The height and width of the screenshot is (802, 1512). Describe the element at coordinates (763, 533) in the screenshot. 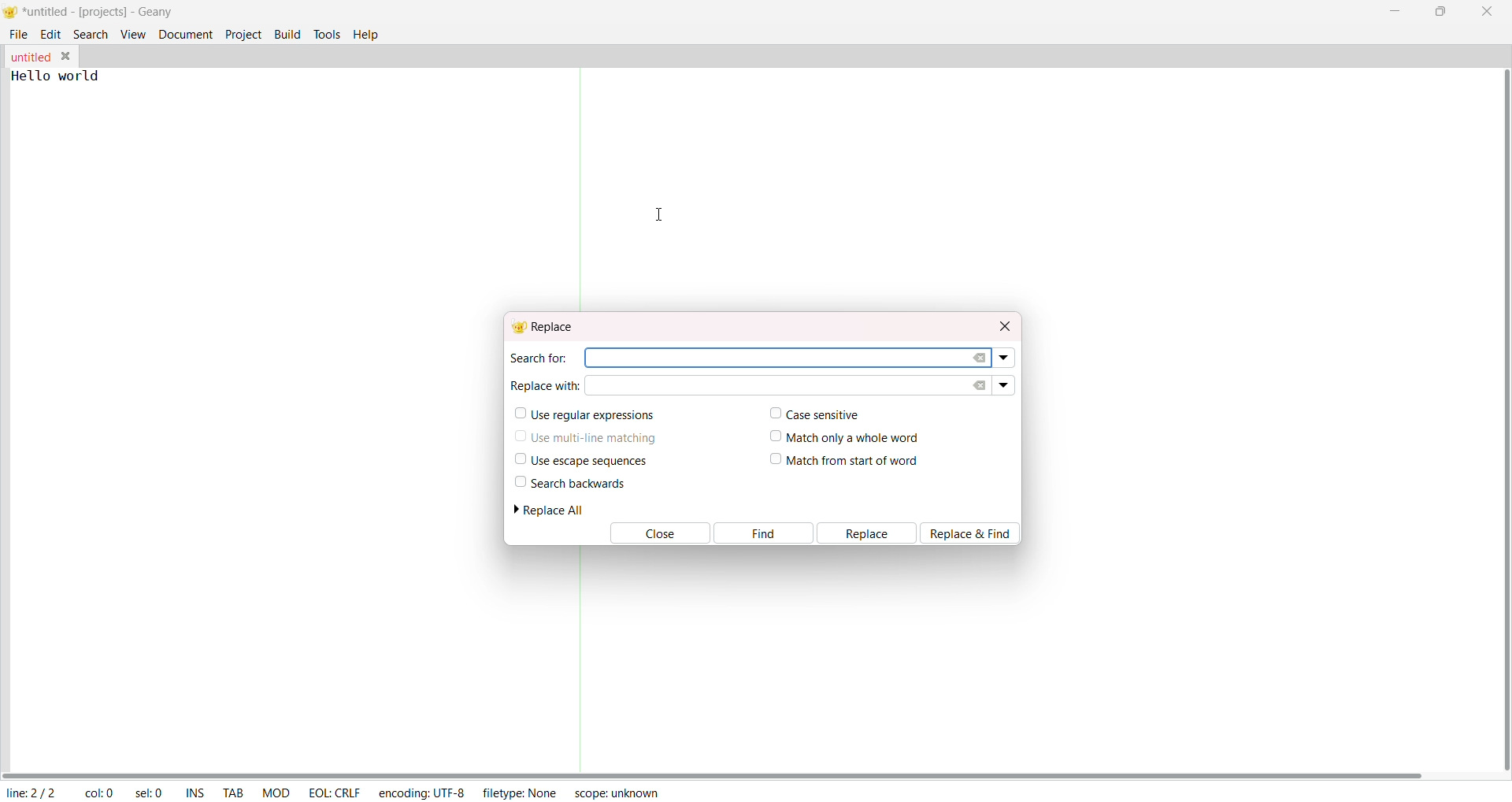

I see `find` at that location.